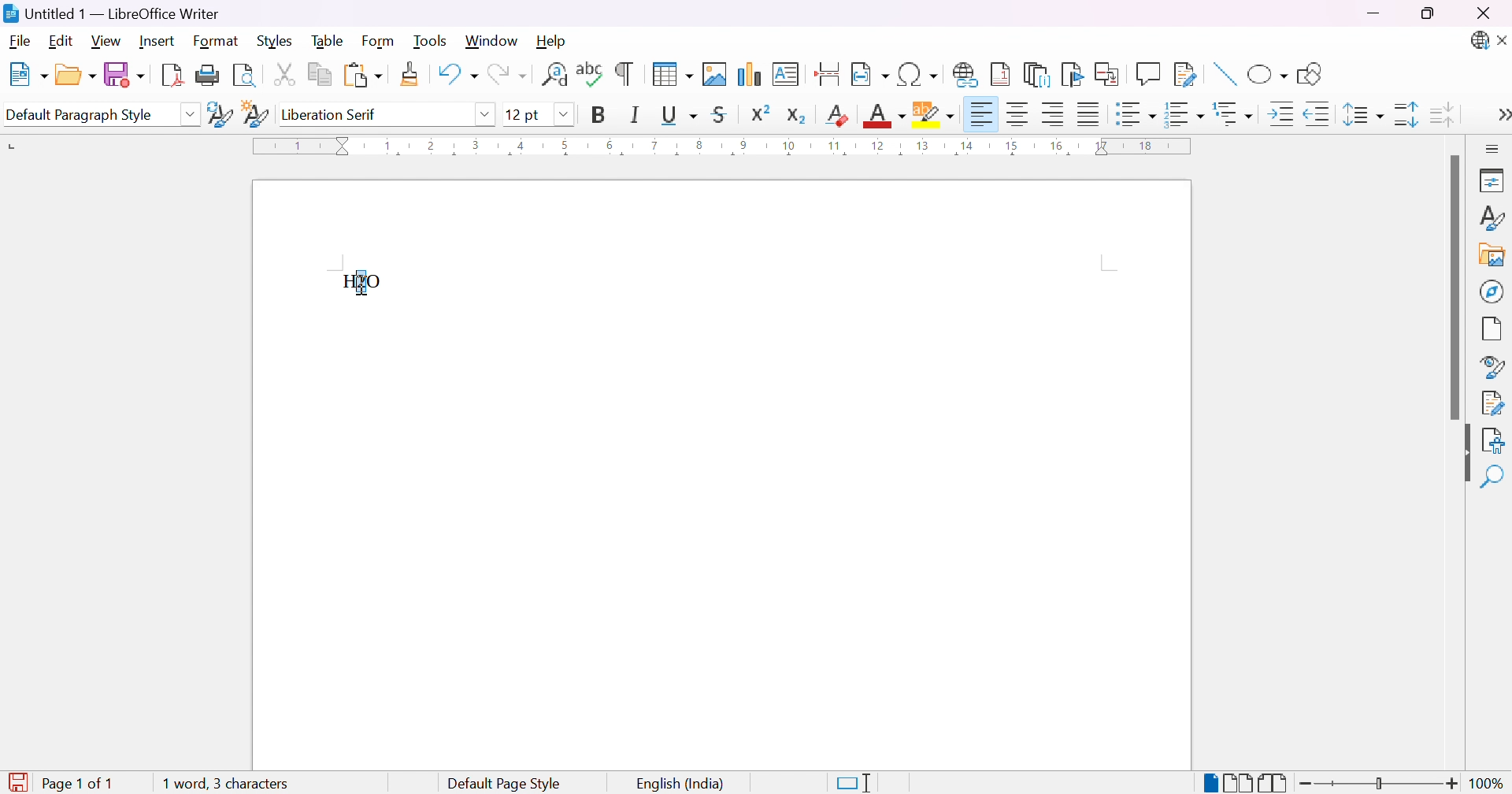 This screenshot has height=794, width=1512. Describe the element at coordinates (409, 74) in the screenshot. I see `` at that location.